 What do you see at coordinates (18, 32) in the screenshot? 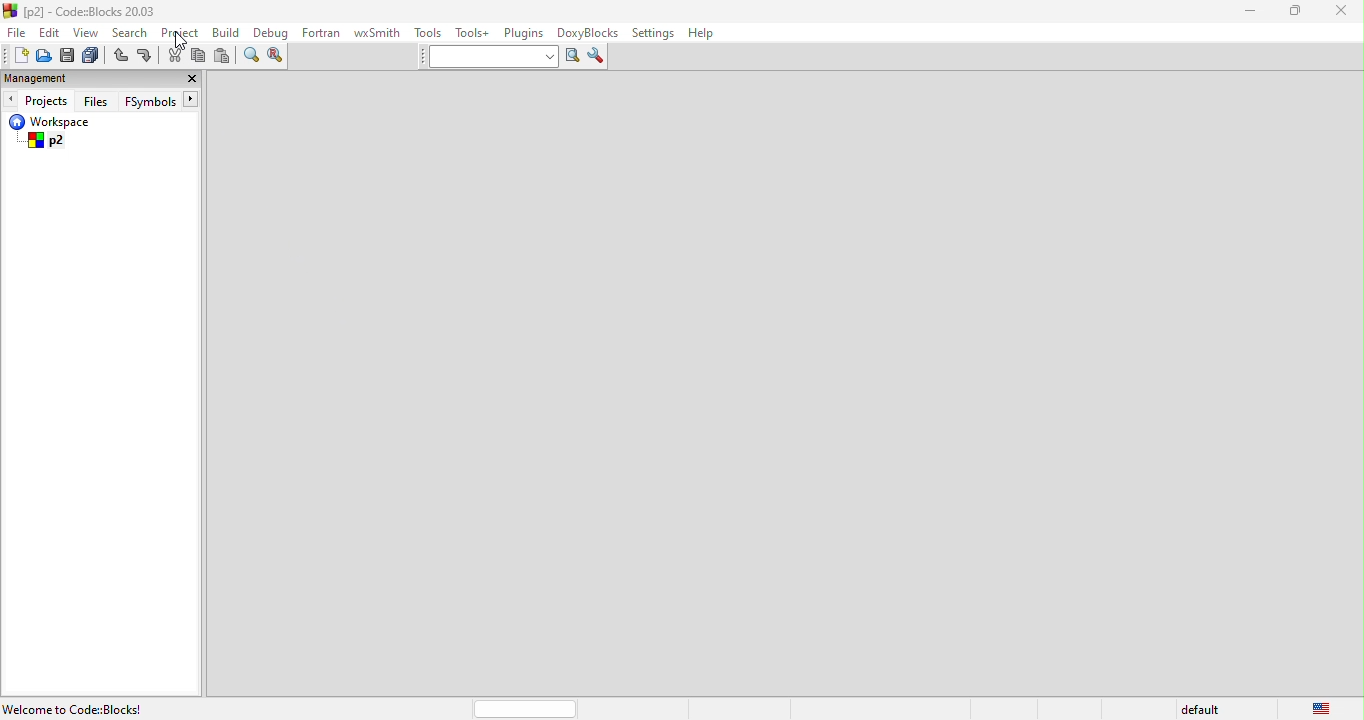
I see `file` at bounding box center [18, 32].